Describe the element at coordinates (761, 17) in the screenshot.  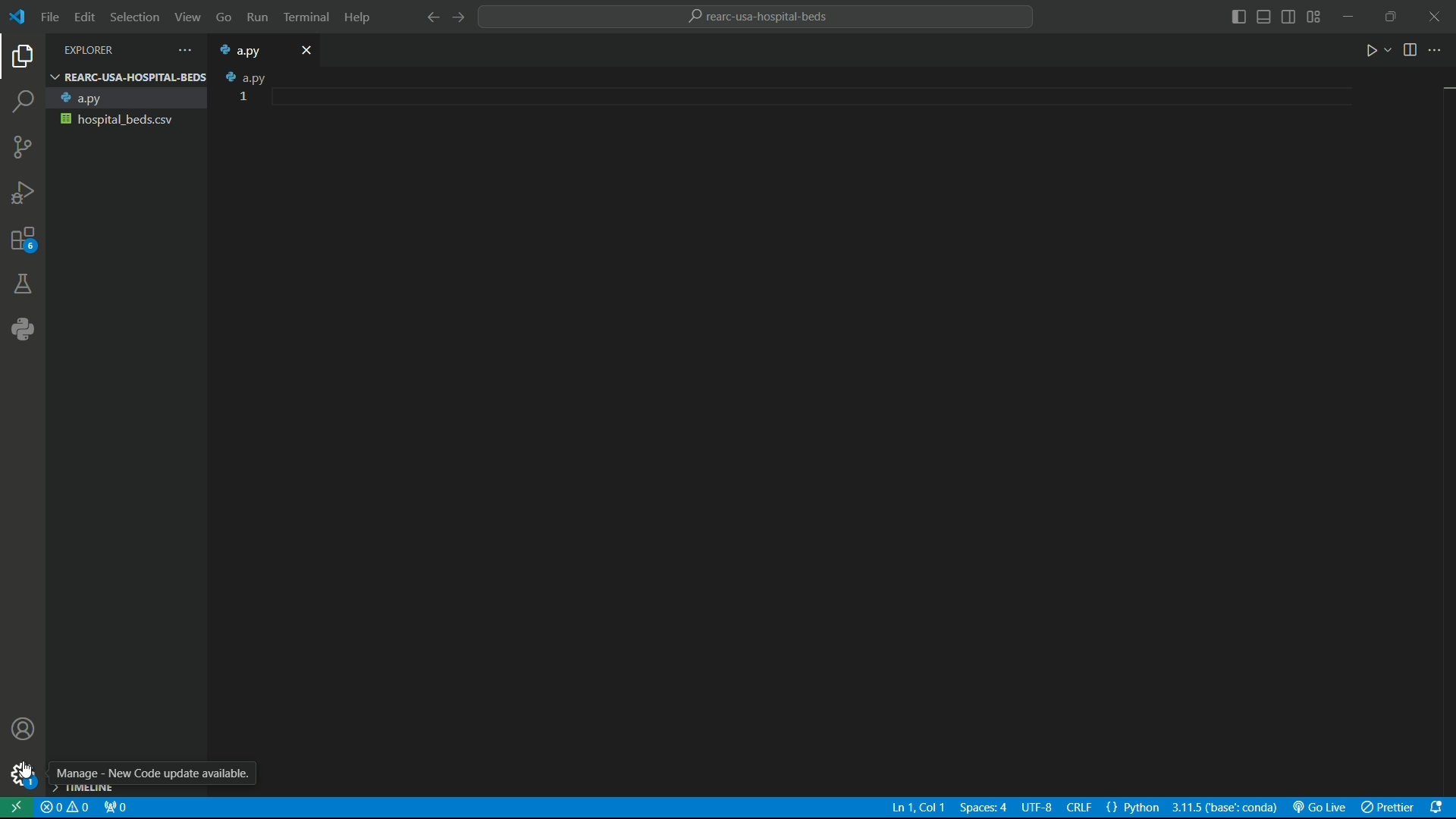
I see `rearc-usa-hospital-beds` at that location.